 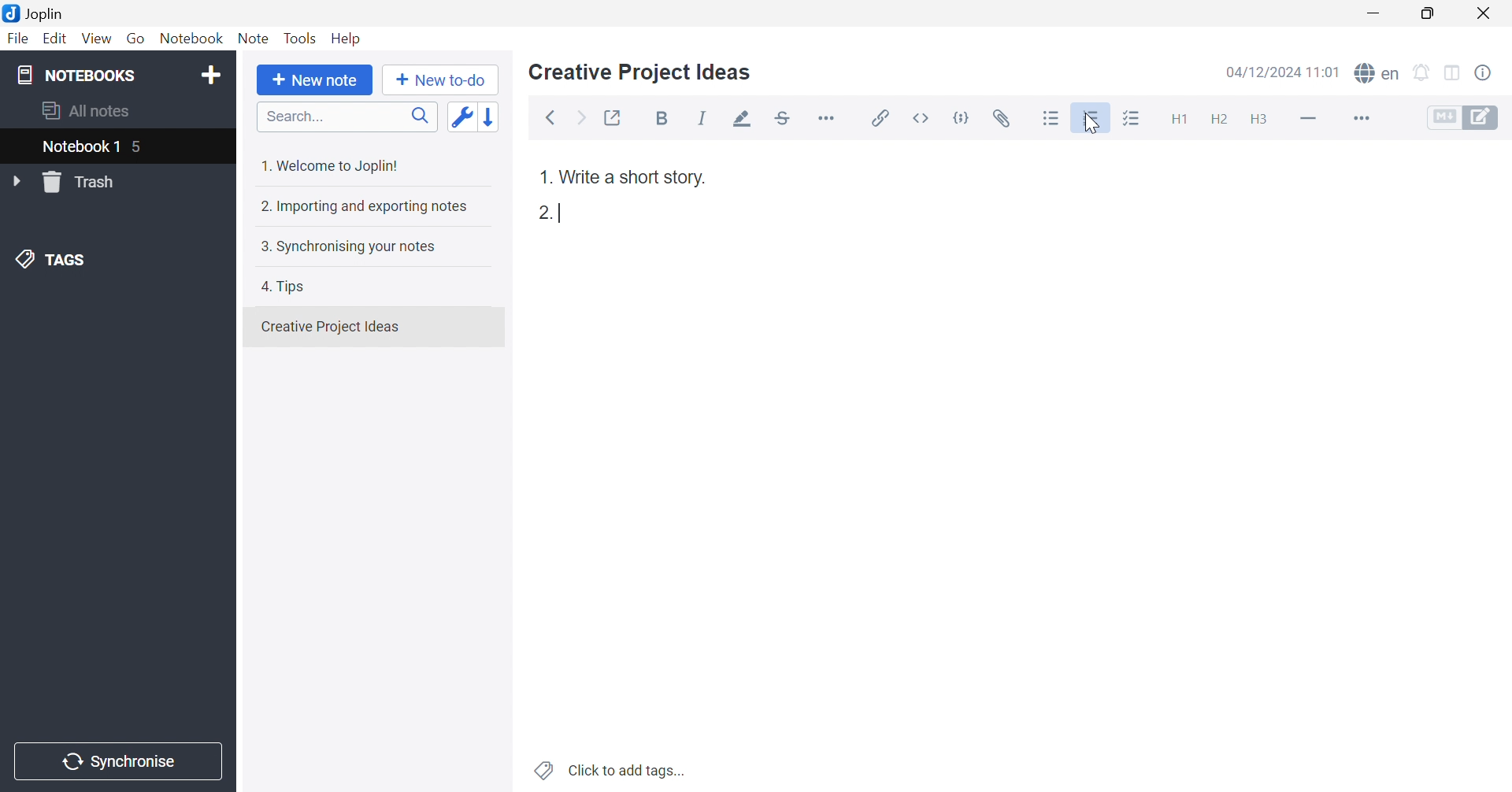 I want to click on 1. Welcome to Joplin!, so click(x=336, y=163).